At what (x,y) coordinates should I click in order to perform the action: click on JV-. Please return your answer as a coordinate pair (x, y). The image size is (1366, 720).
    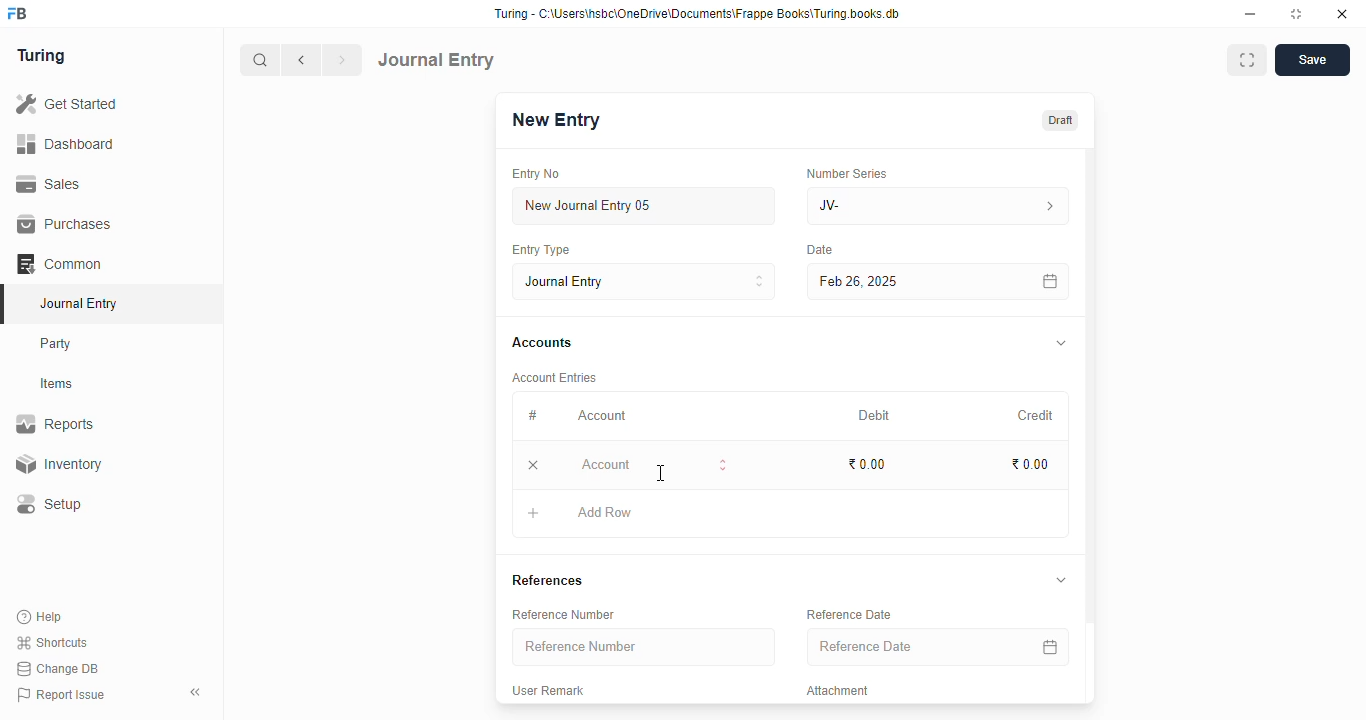
    Looking at the image, I should click on (939, 206).